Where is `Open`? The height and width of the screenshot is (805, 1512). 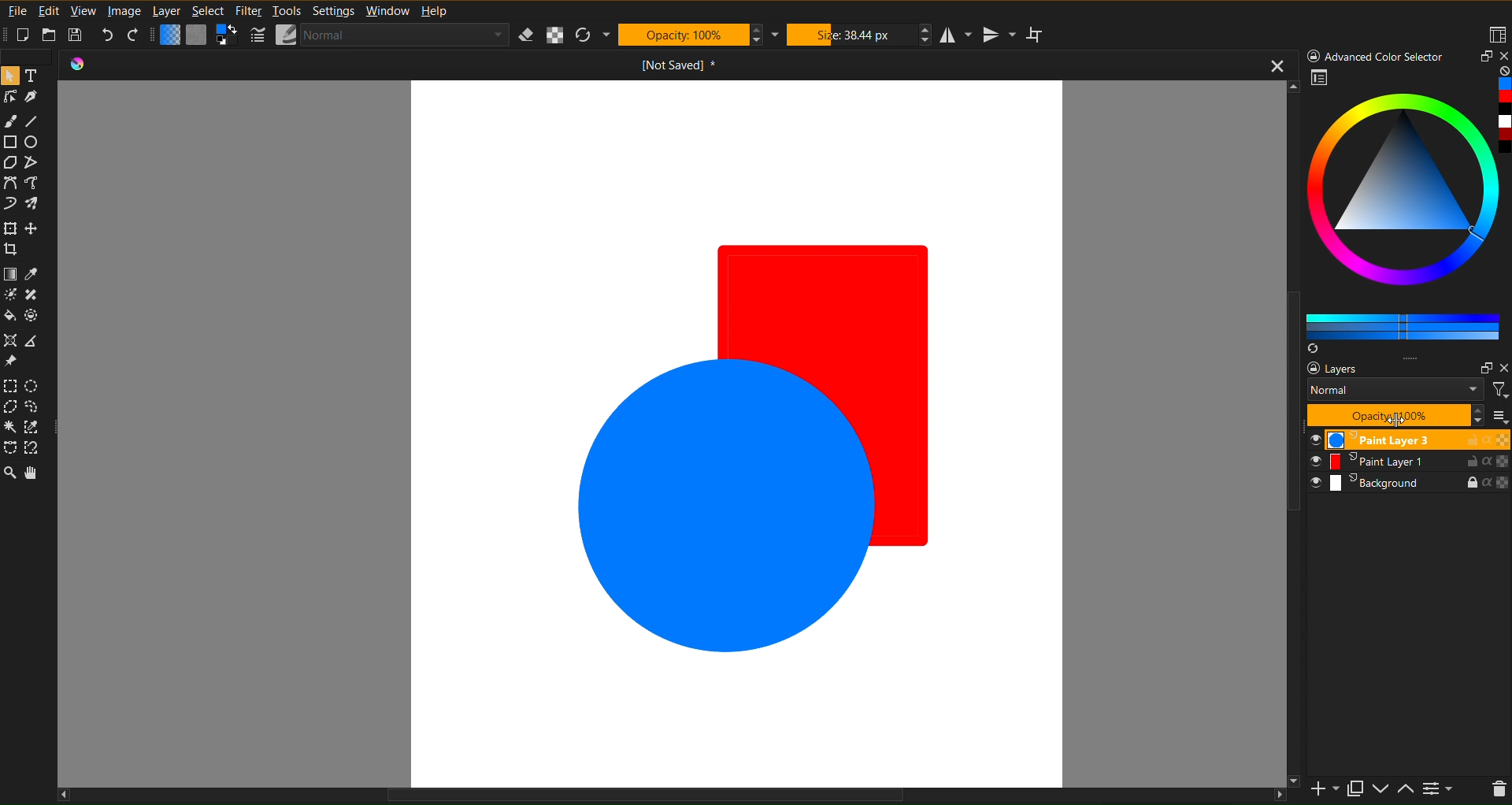 Open is located at coordinates (54, 35).